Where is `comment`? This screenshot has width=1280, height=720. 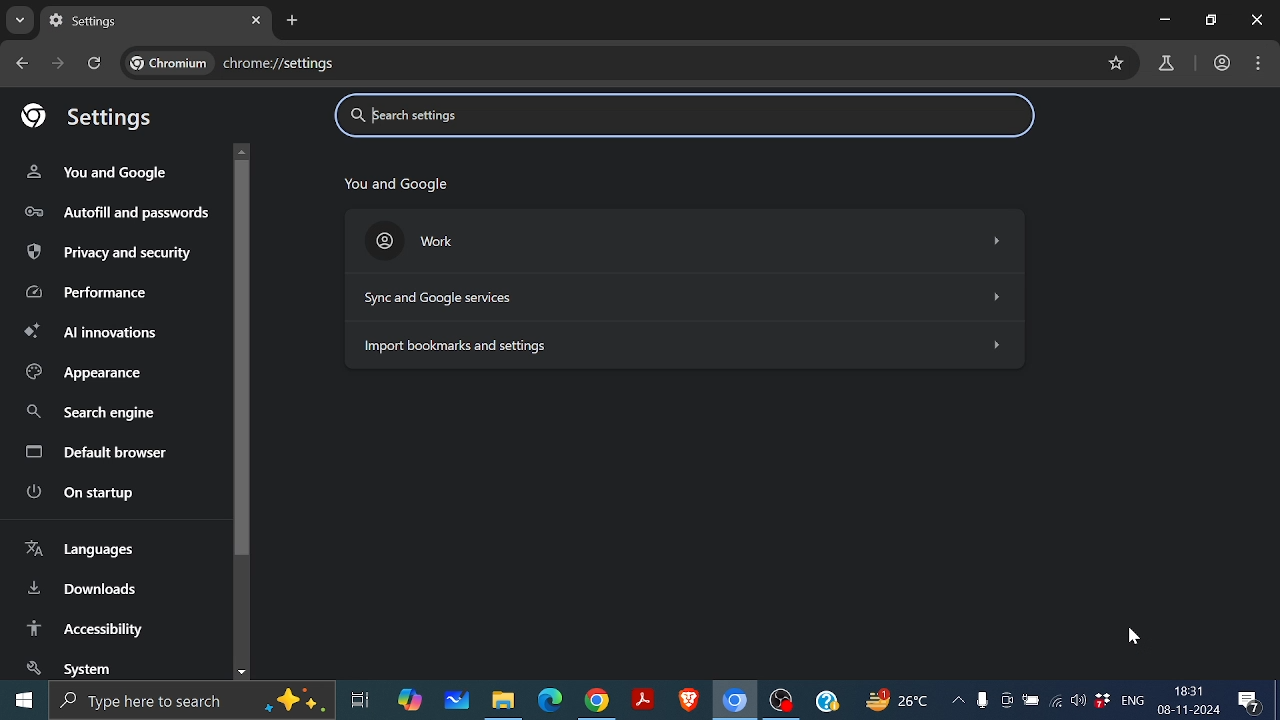 comment is located at coordinates (1252, 703).